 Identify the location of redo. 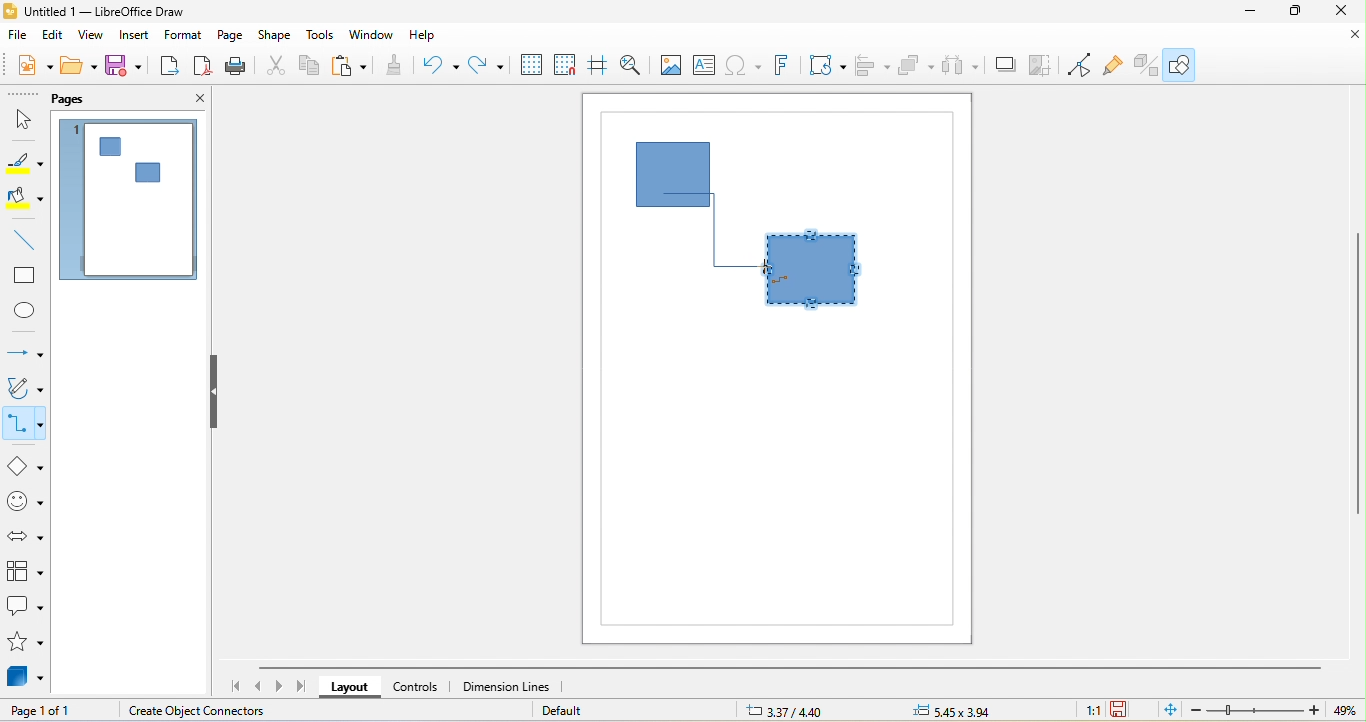
(487, 67).